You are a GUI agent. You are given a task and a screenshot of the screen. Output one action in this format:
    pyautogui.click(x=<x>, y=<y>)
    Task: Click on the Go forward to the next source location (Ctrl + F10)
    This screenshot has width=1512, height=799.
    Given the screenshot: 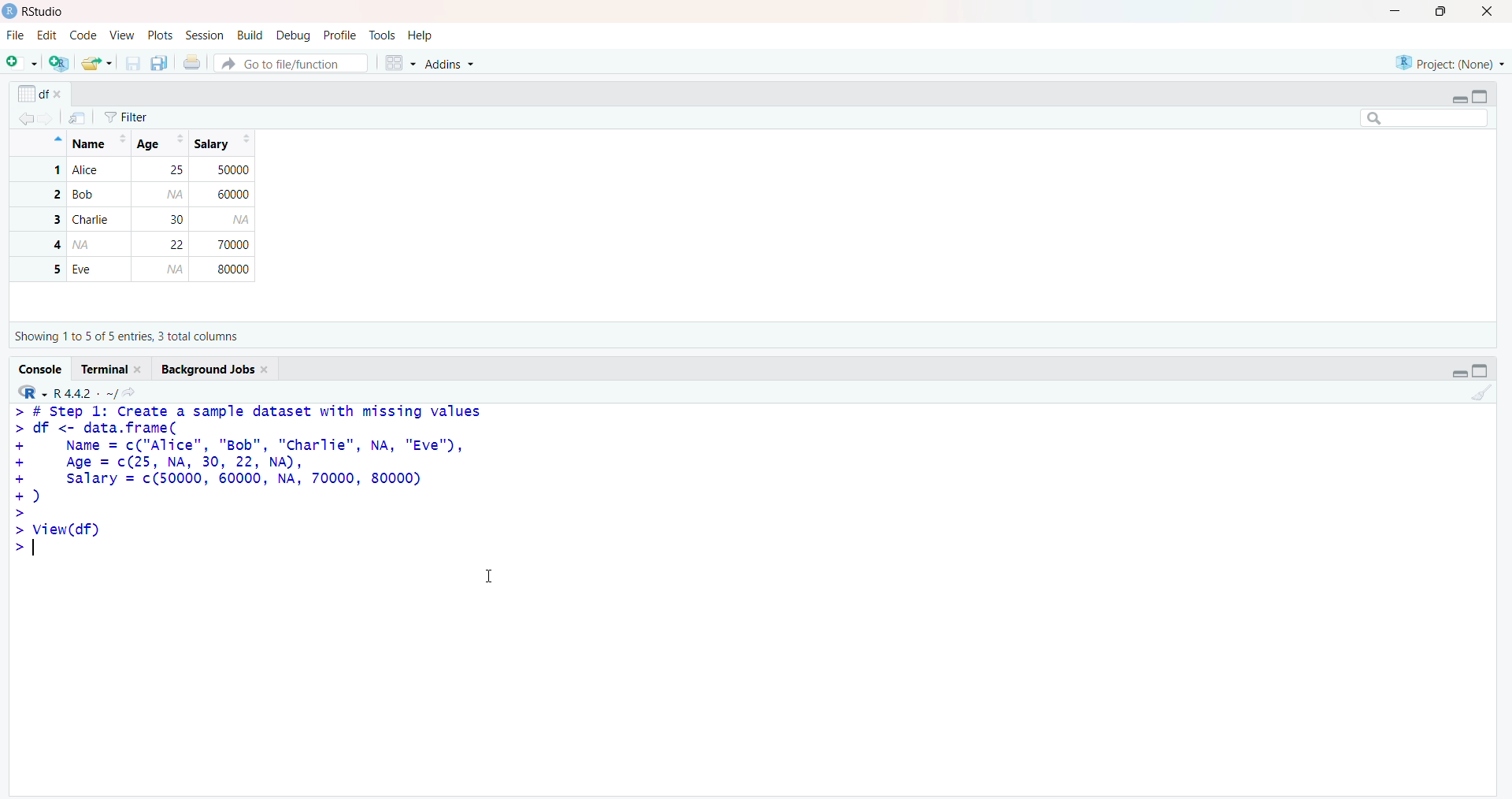 What is the action you would take?
    pyautogui.click(x=51, y=121)
    